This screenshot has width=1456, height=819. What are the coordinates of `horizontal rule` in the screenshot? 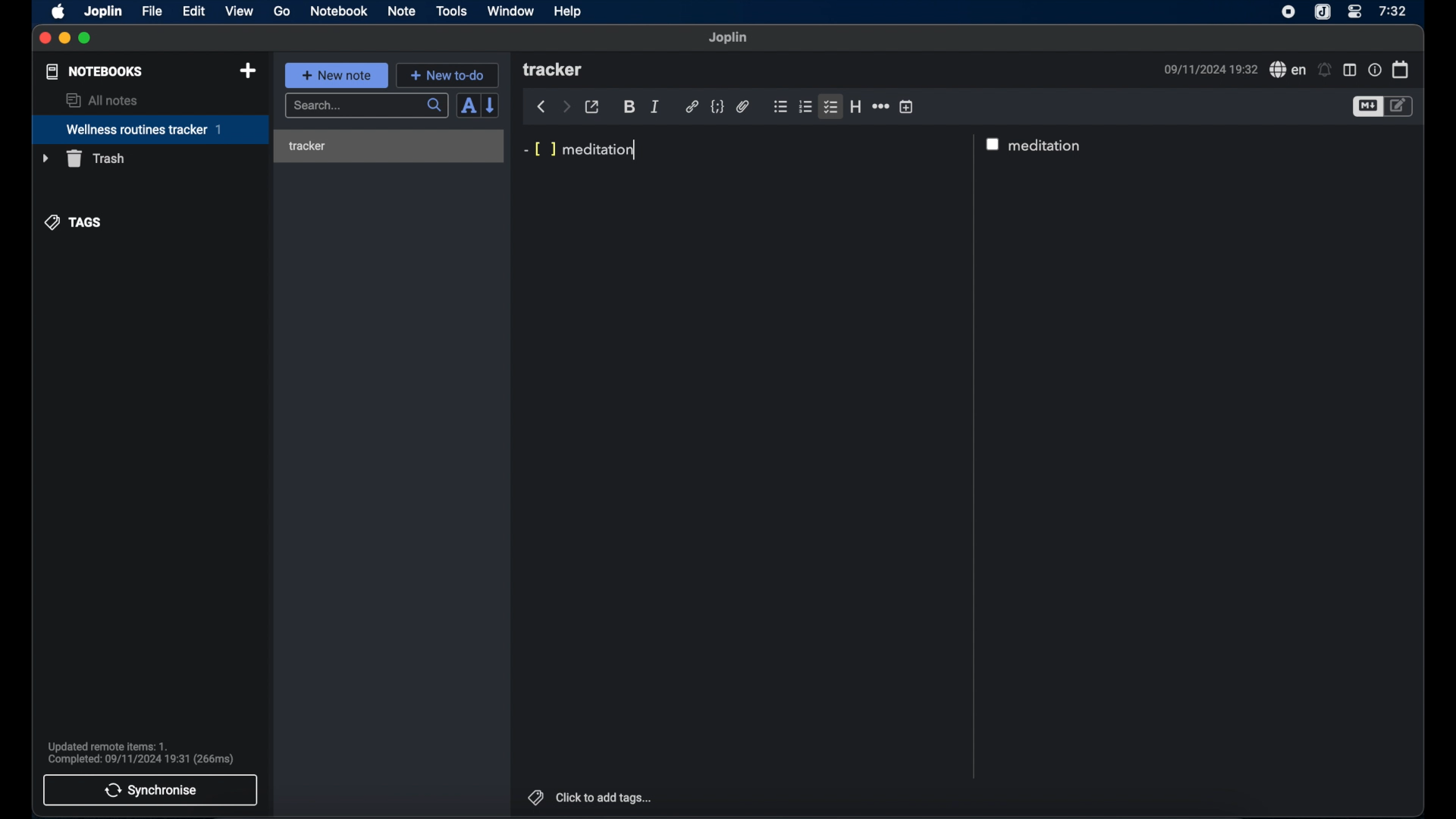 It's located at (880, 106).